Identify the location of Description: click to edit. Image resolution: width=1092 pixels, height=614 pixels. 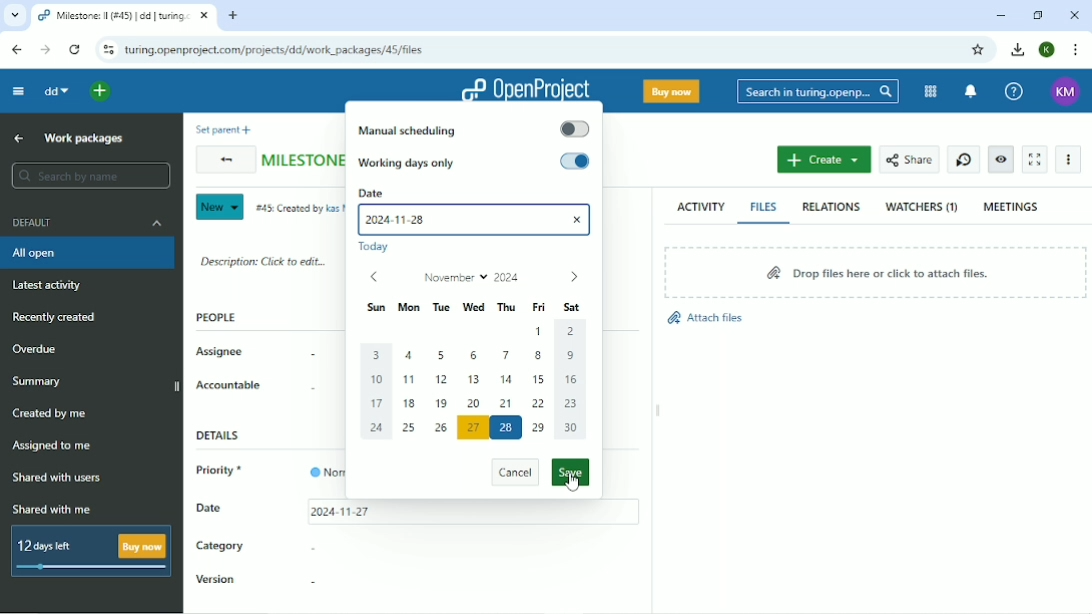
(264, 260).